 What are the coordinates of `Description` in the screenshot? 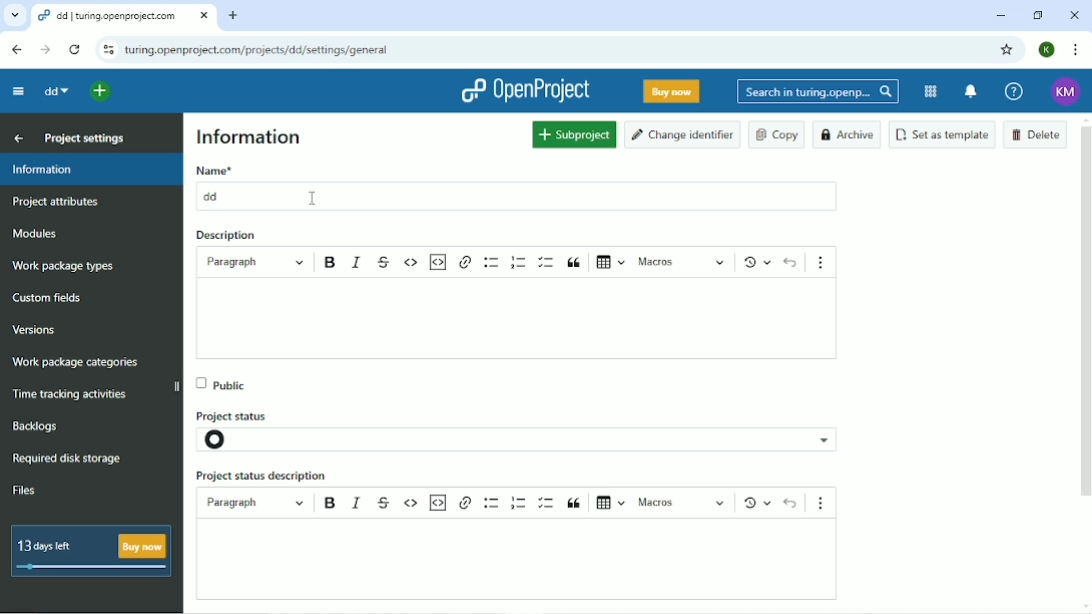 It's located at (225, 236).